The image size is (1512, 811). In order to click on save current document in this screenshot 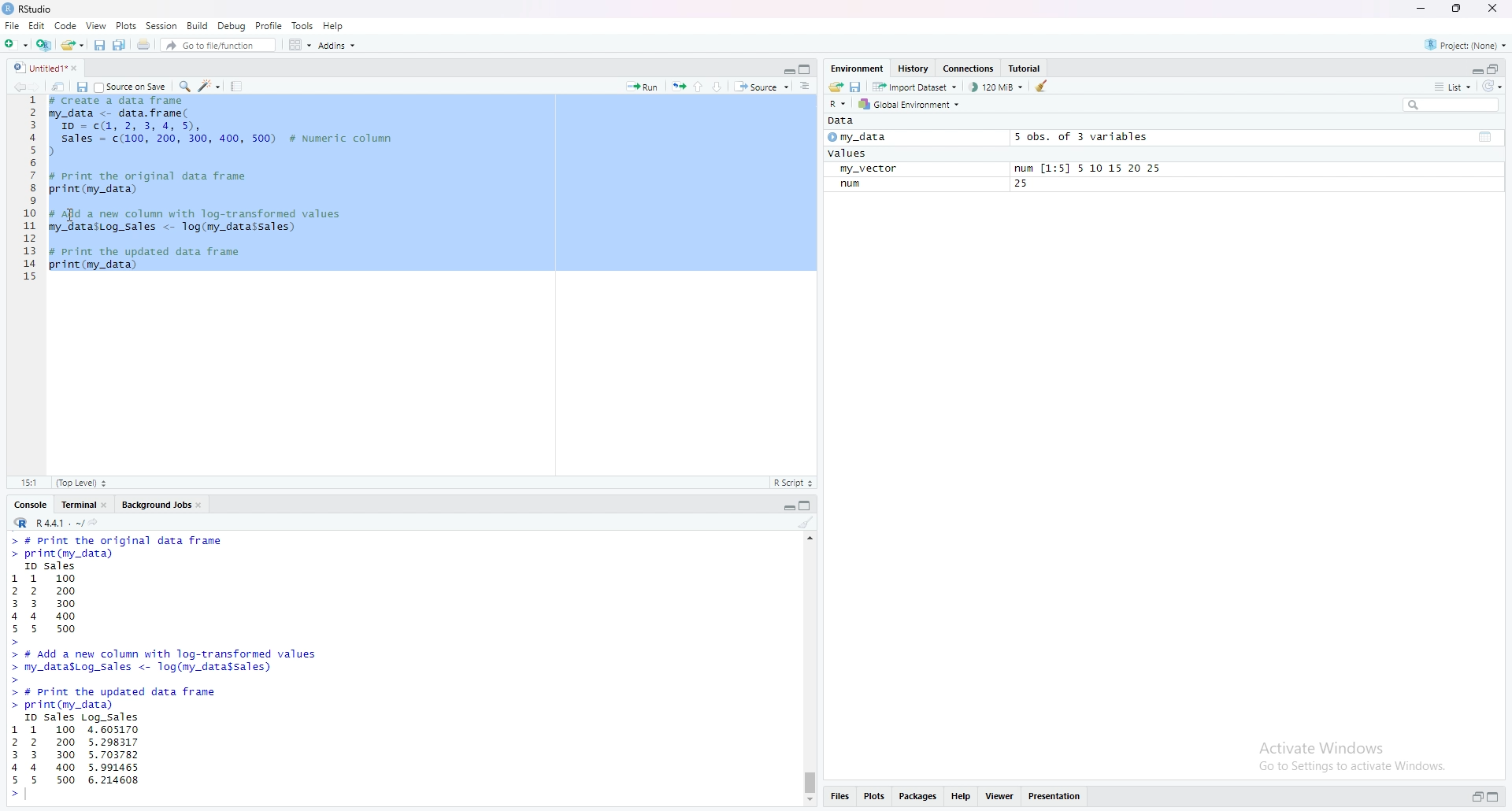, I will do `click(101, 46)`.